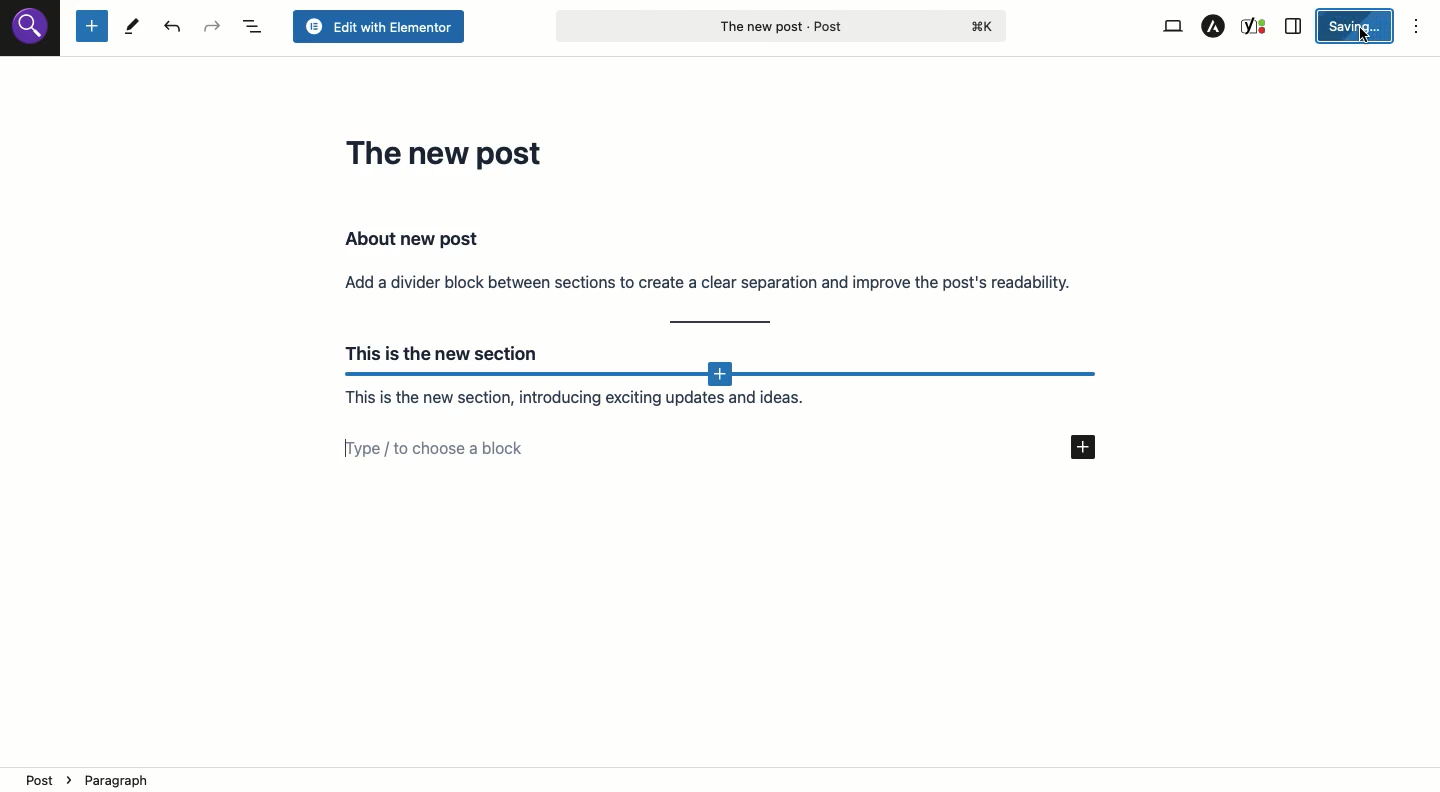 This screenshot has width=1440, height=792. I want to click on Add new block, so click(722, 376).